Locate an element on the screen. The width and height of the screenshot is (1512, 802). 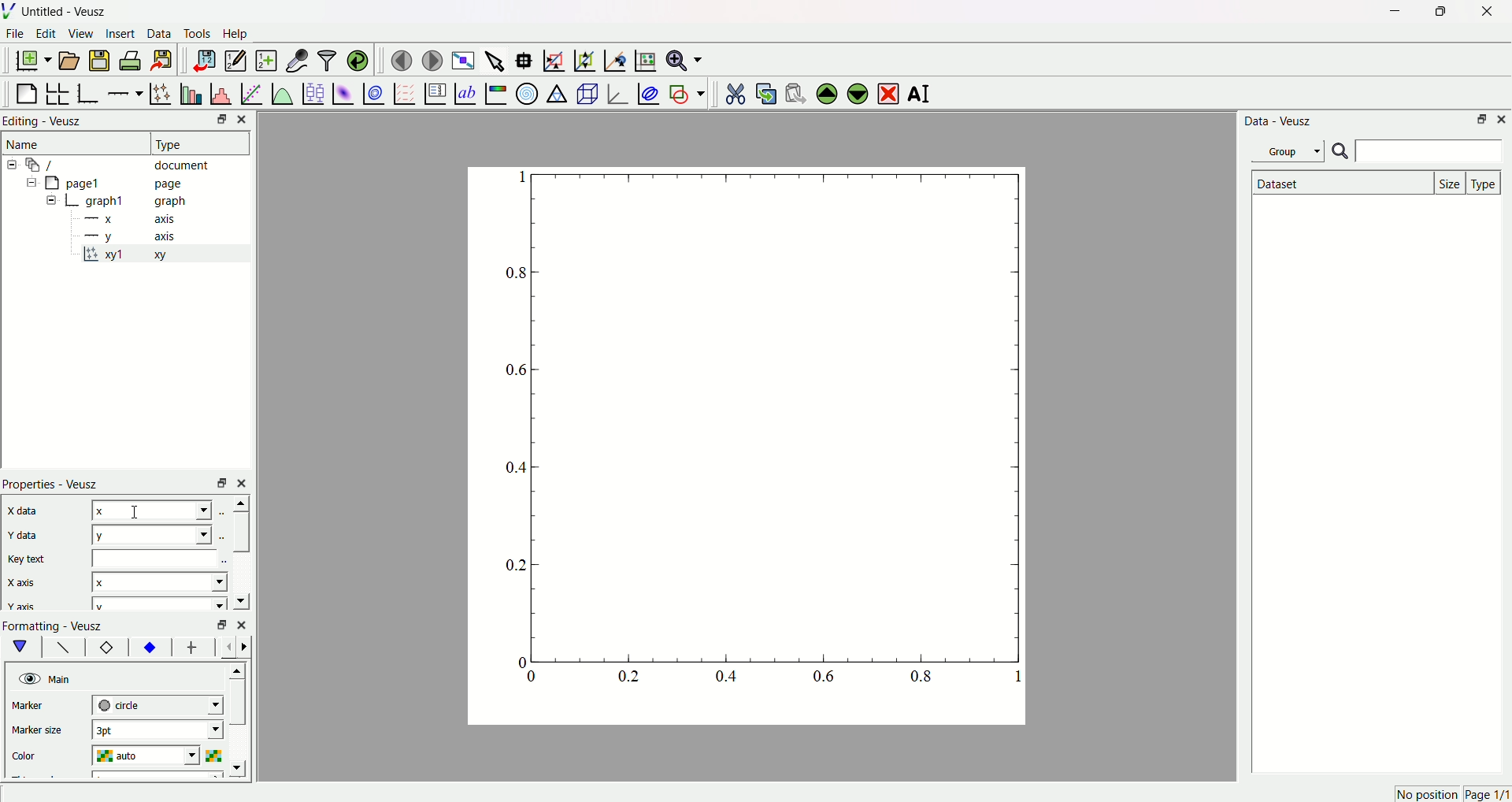
fit a function is located at coordinates (250, 92).